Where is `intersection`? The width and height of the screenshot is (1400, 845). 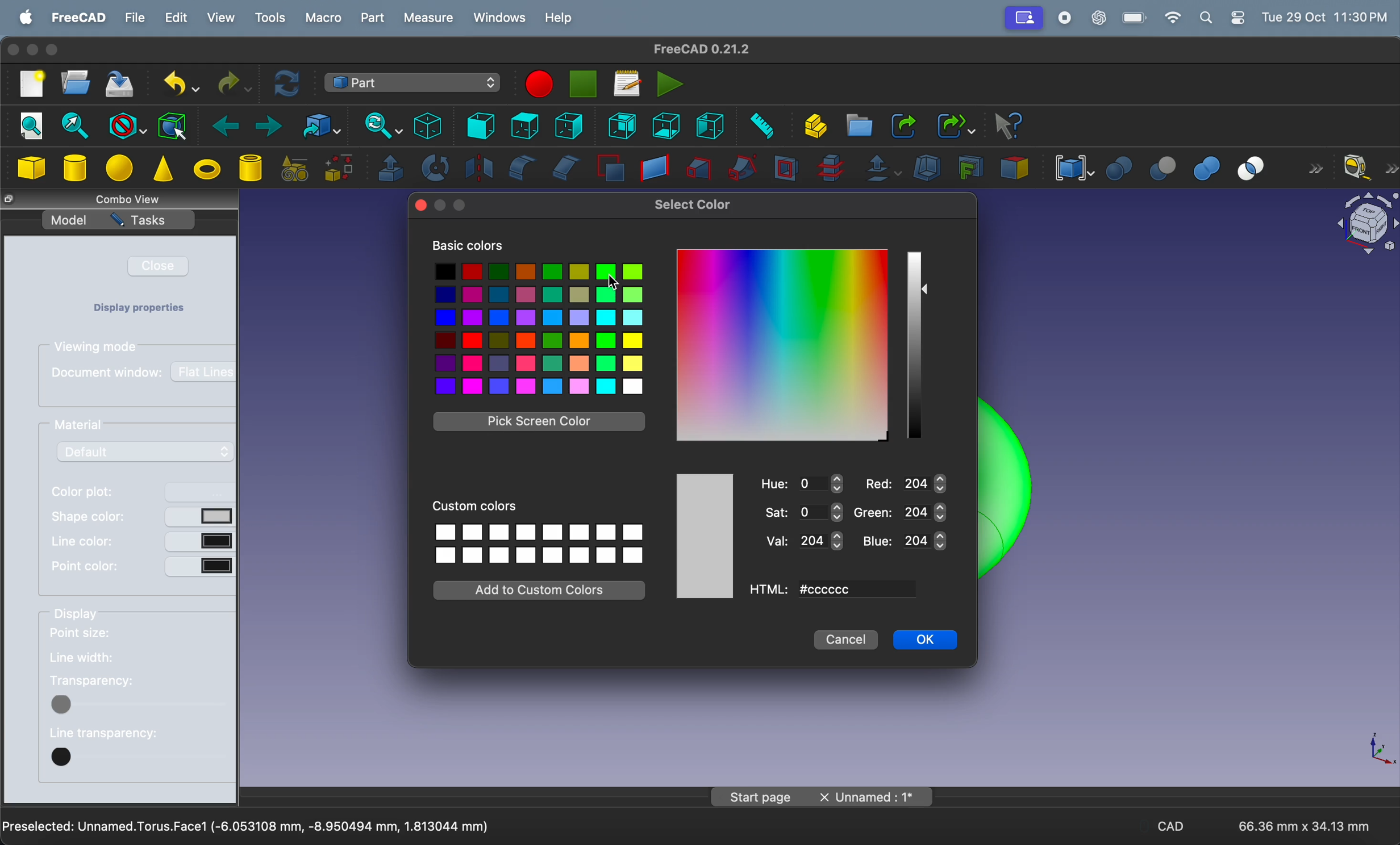 intersection is located at coordinates (1256, 167).